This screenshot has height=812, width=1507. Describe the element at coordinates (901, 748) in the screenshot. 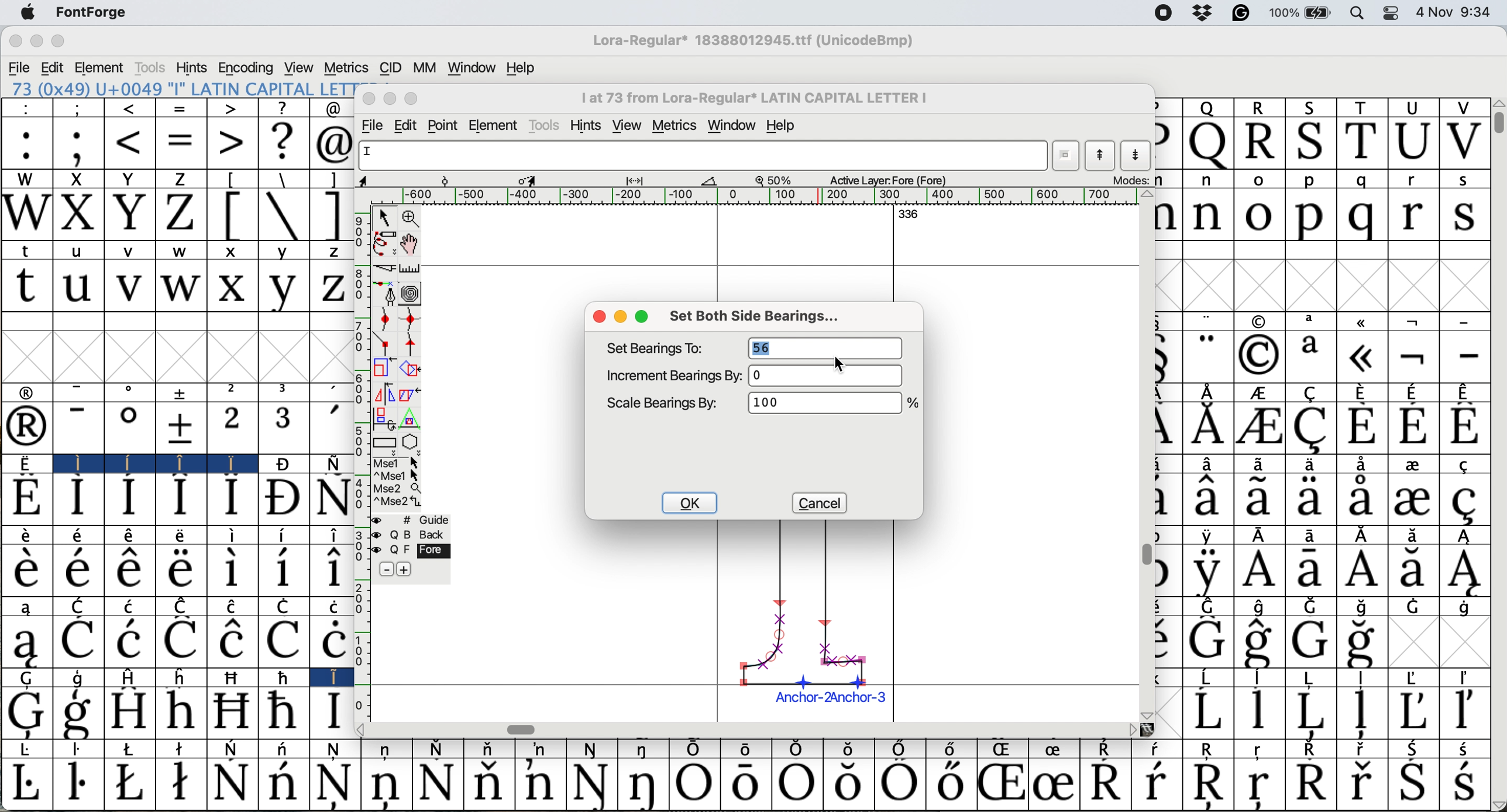

I see `Symbol` at that location.